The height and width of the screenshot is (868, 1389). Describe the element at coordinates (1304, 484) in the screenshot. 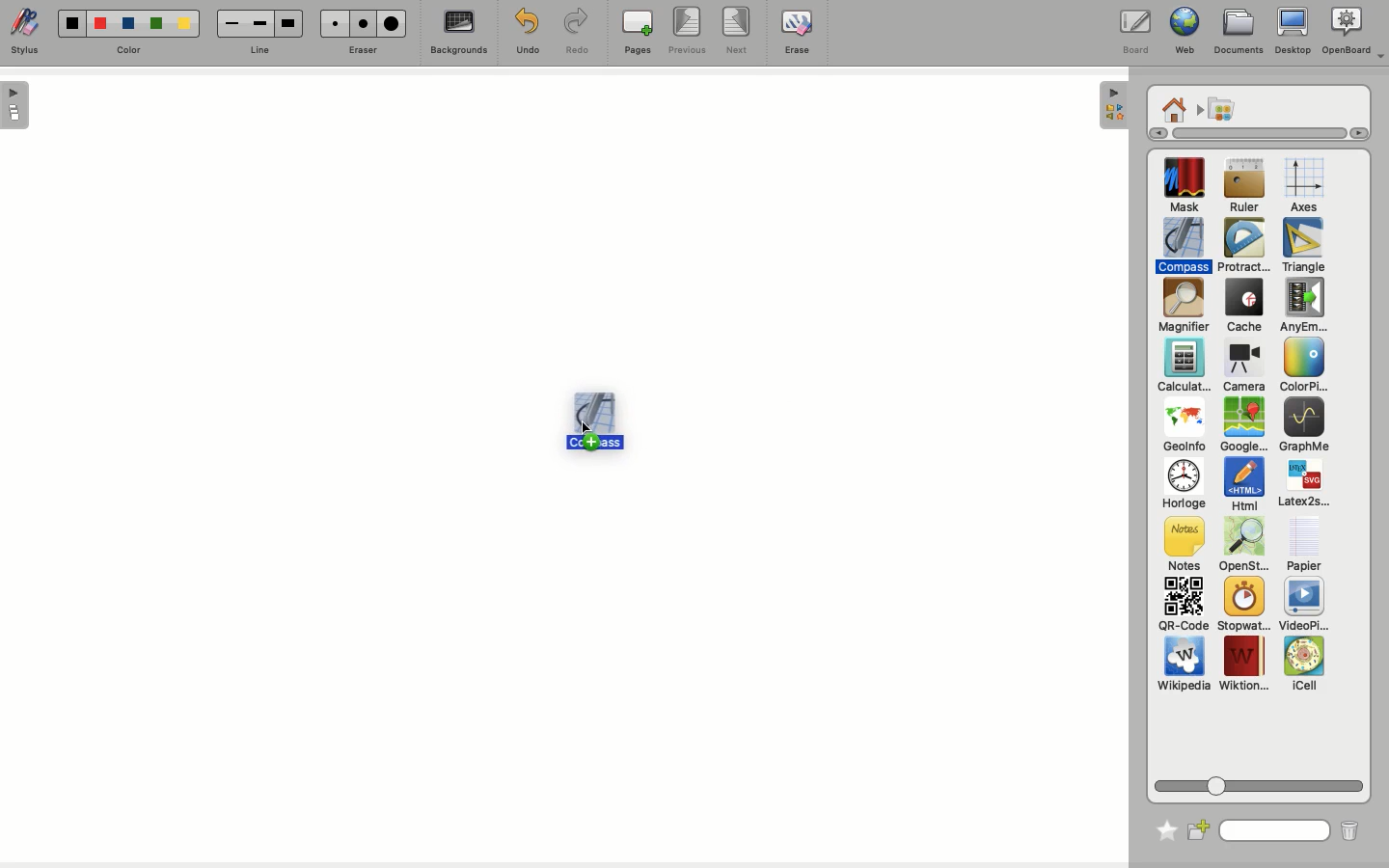

I see `Latex2s` at that location.